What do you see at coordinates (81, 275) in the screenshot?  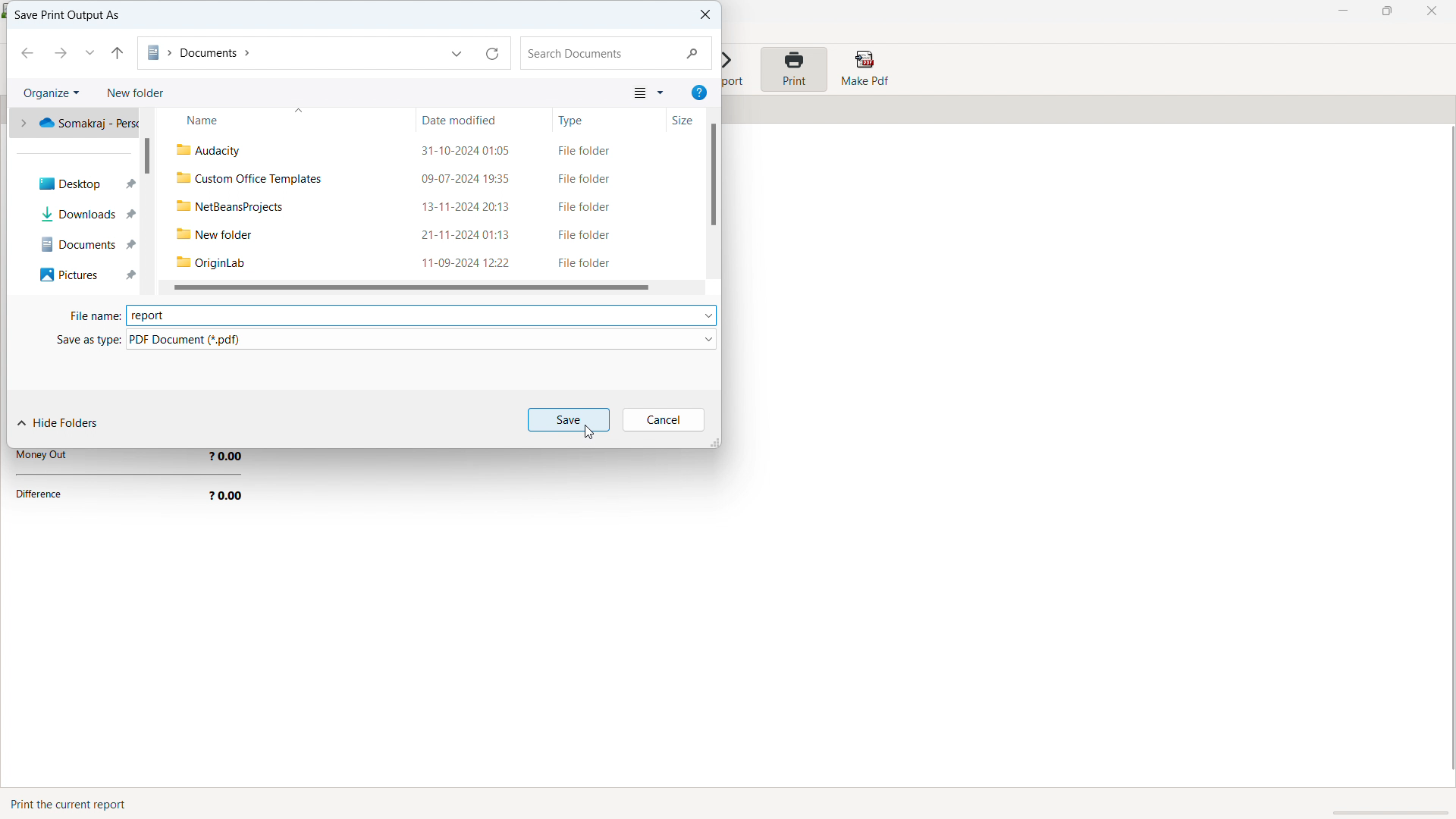 I see `PA pictures »` at bounding box center [81, 275].